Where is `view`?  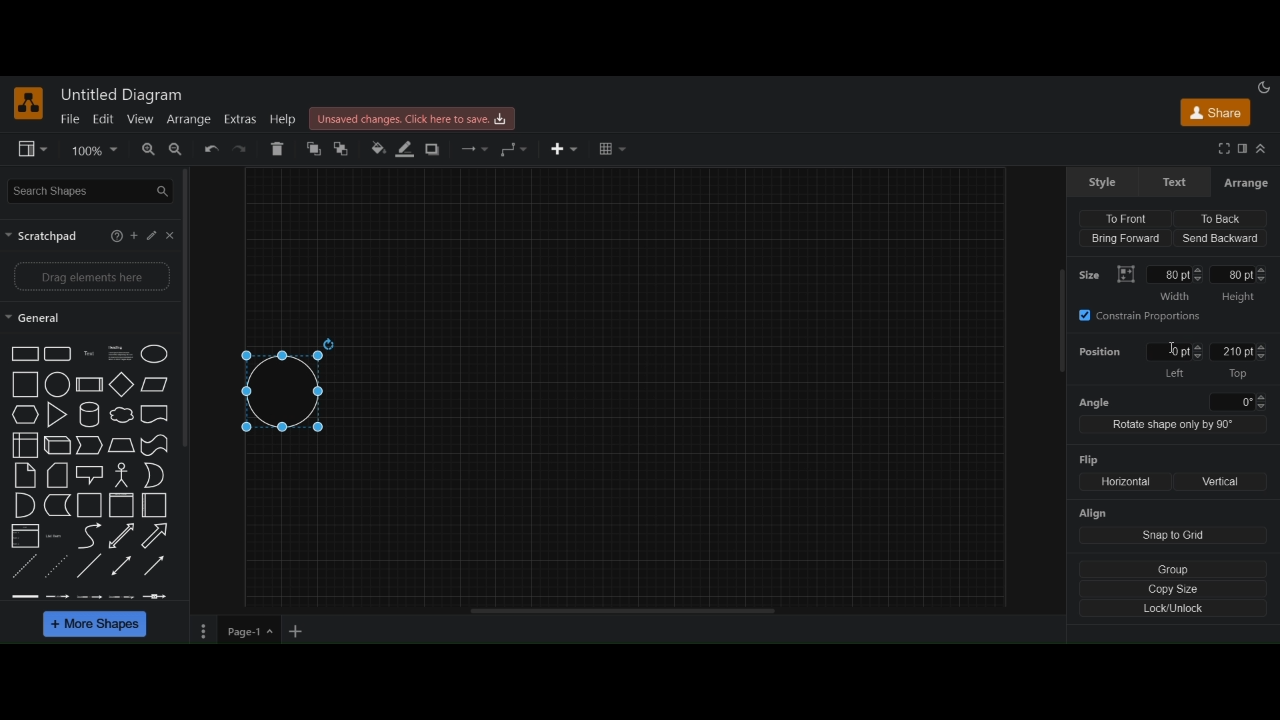 view is located at coordinates (34, 150).